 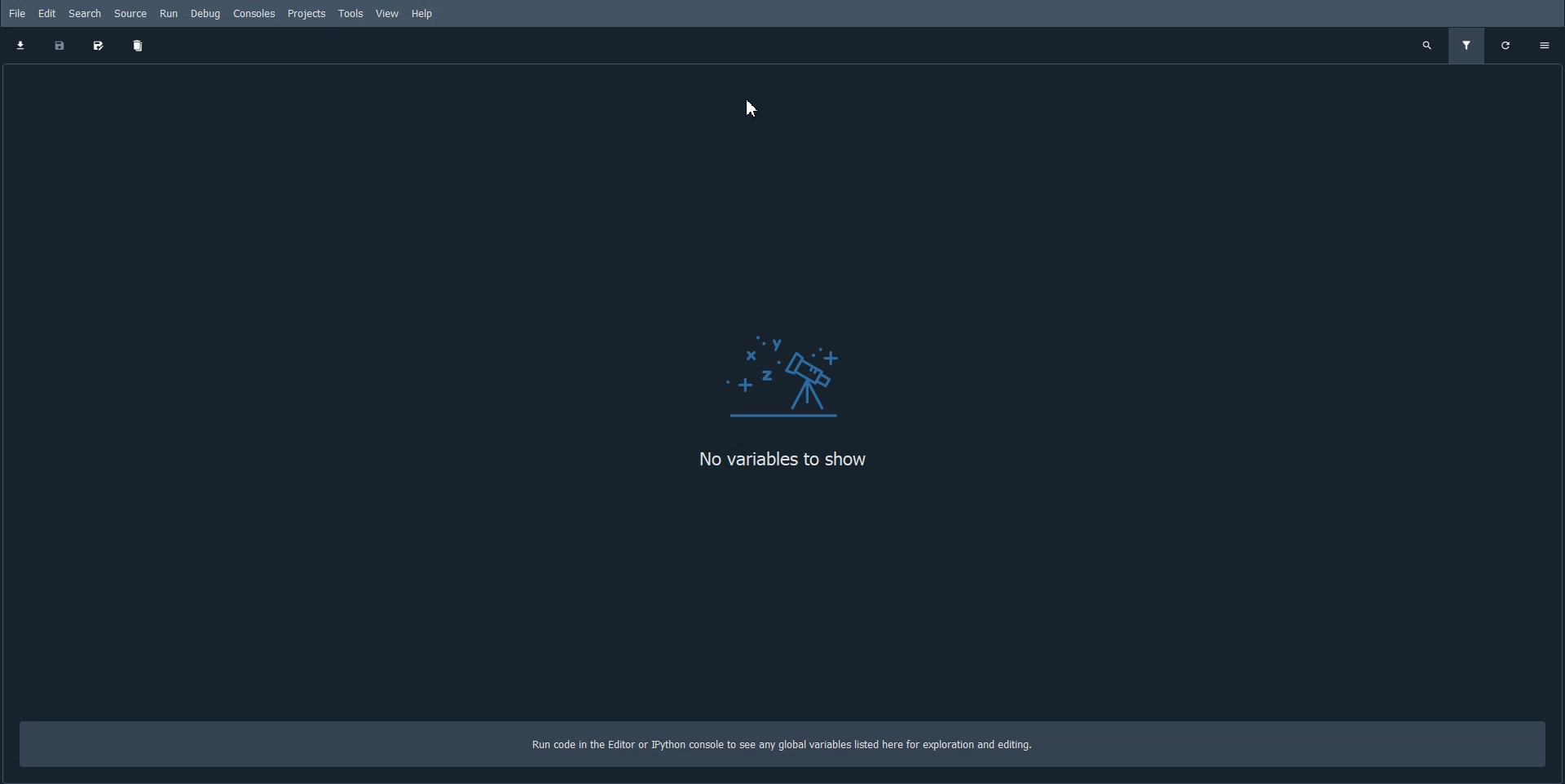 What do you see at coordinates (423, 14) in the screenshot?
I see `Help` at bounding box center [423, 14].